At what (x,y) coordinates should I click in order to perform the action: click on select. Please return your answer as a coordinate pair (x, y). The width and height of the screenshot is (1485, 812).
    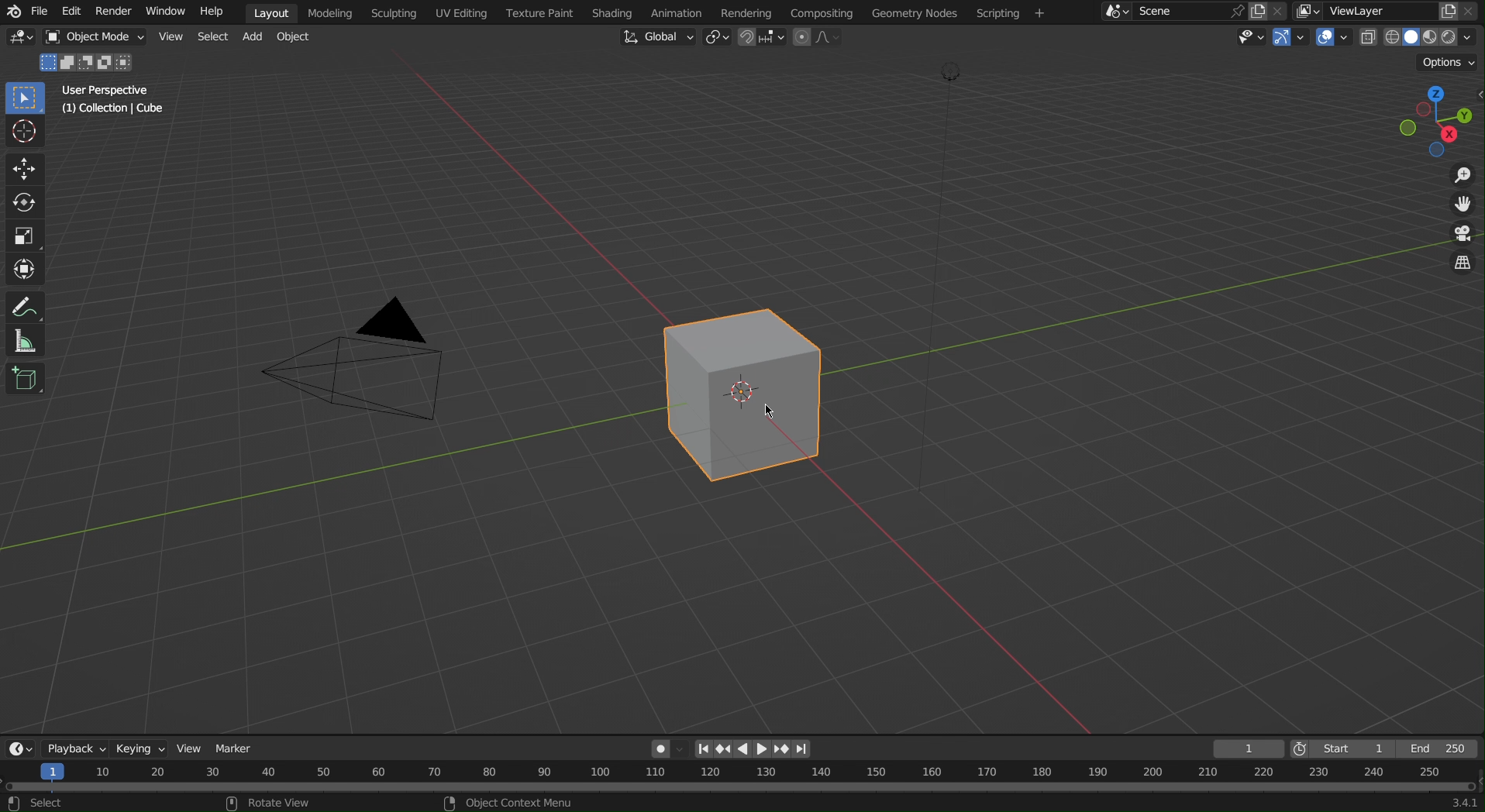
    Looking at the image, I should click on (45, 61).